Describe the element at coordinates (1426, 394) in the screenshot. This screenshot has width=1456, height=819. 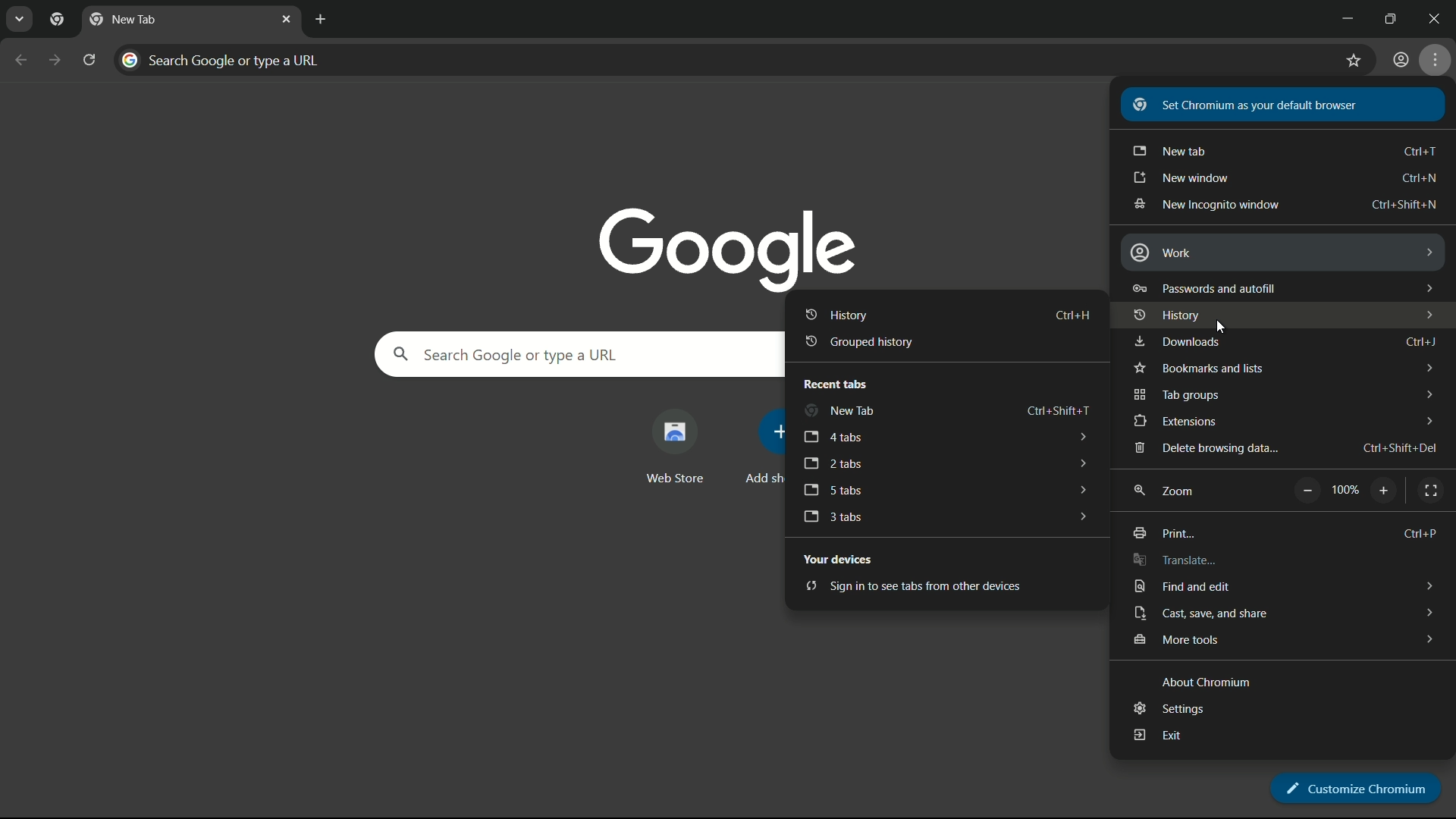
I see `dropdown arrows` at that location.